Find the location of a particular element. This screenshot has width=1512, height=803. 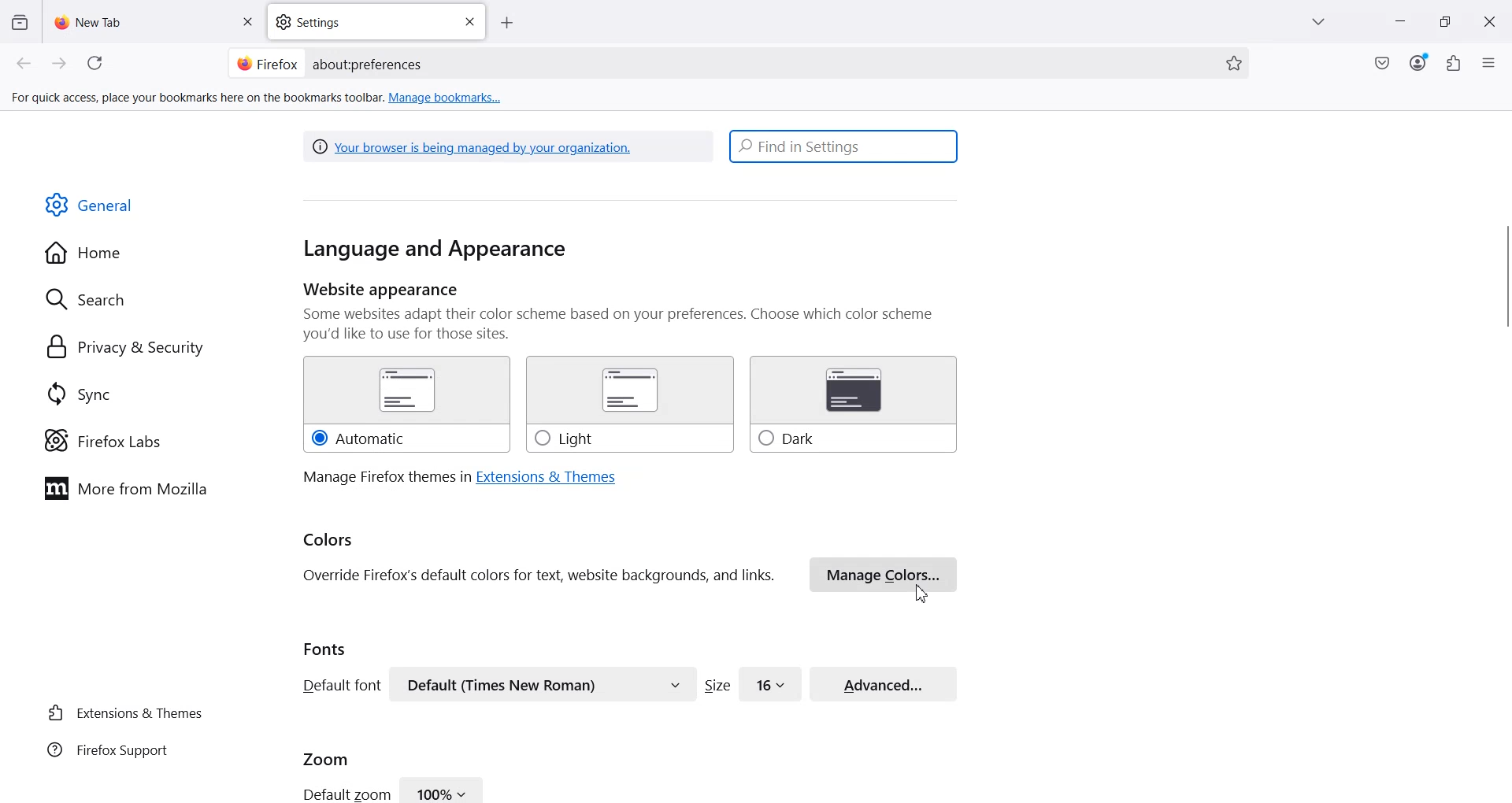

View recent browsing across window is located at coordinates (19, 21).